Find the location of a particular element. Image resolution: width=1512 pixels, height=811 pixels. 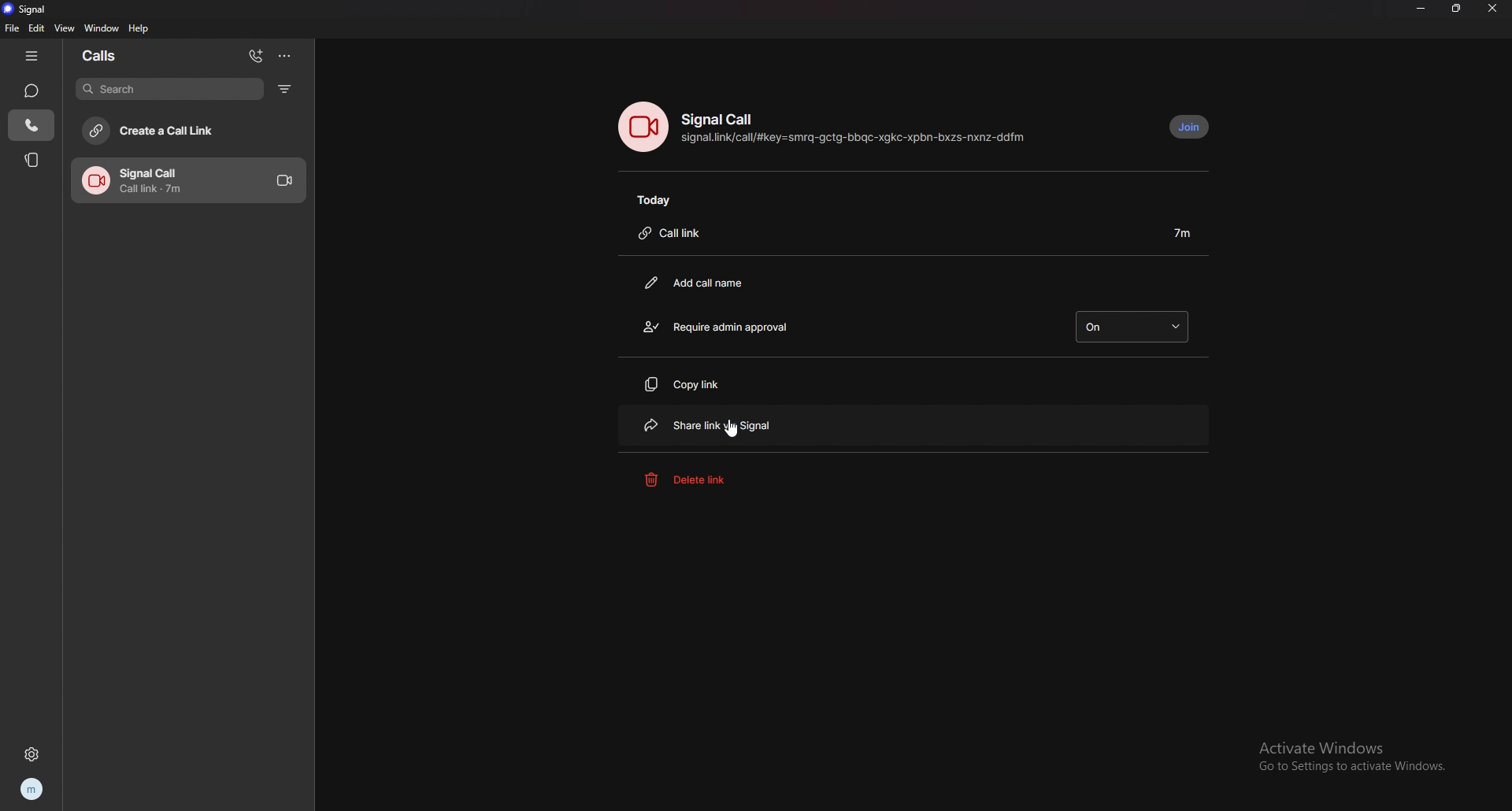

profile is located at coordinates (31, 790).